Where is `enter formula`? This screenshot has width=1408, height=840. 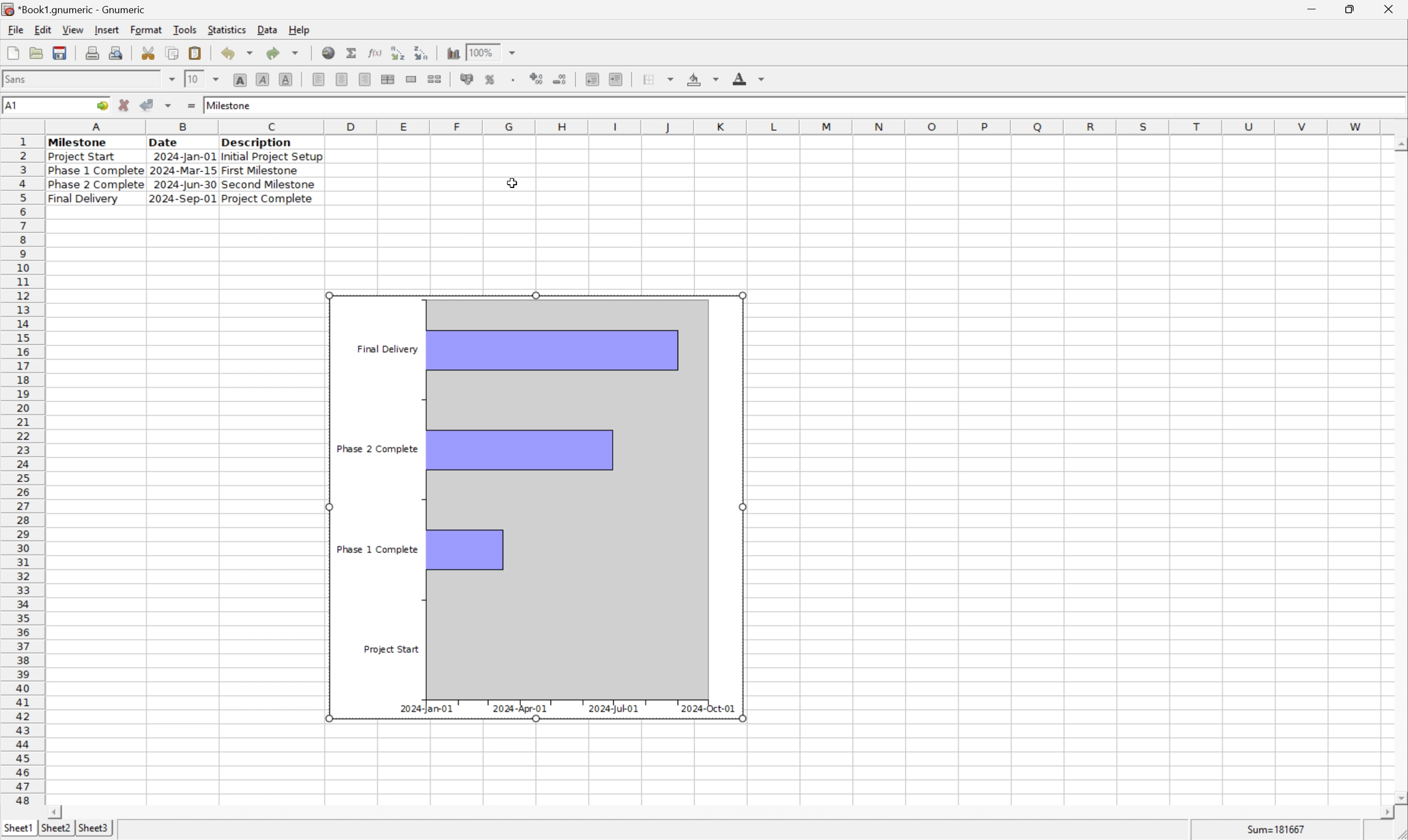
enter formula is located at coordinates (190, 106).